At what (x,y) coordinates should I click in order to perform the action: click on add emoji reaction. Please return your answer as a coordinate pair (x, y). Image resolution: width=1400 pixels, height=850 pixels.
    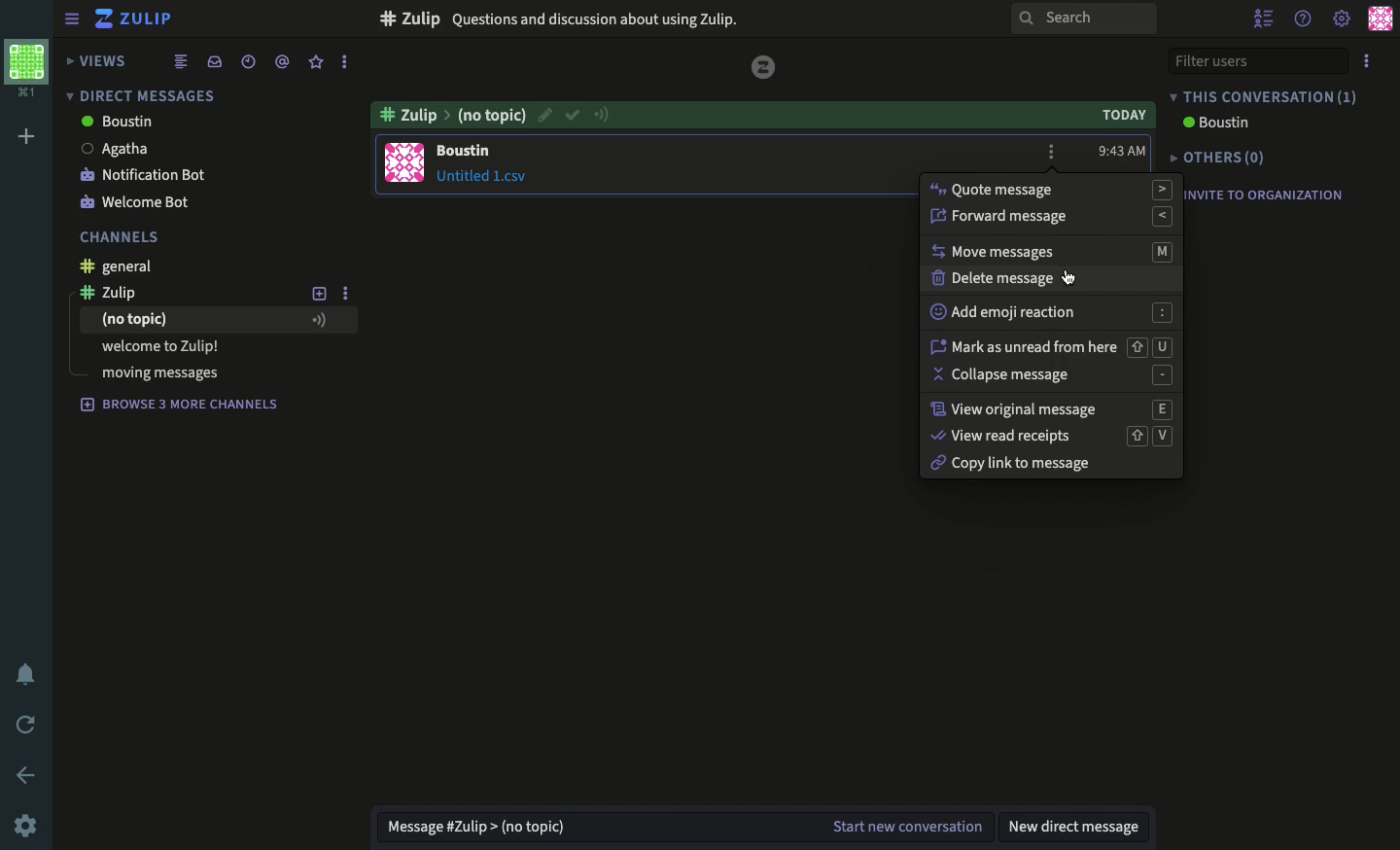
    Looking at the image, I should click on (1051, 313).